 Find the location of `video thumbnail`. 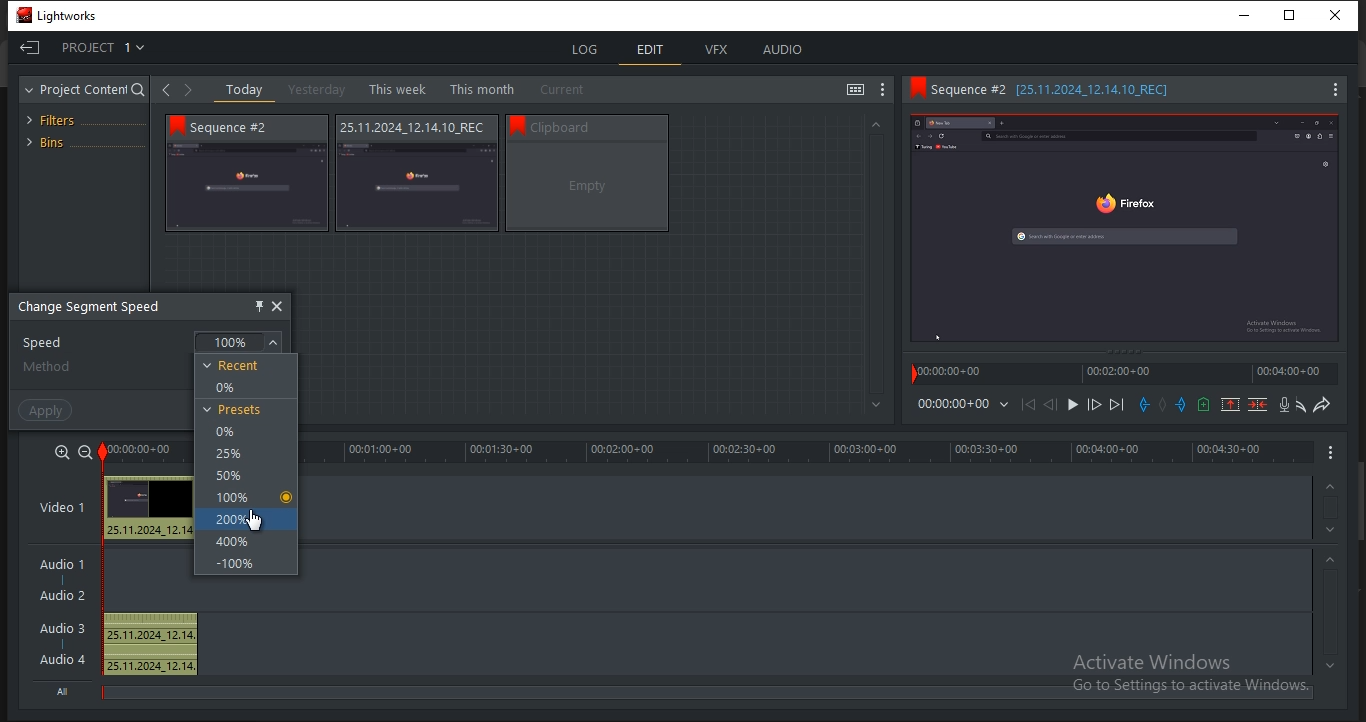

video thumbnail is located at coordinates (249, 186).